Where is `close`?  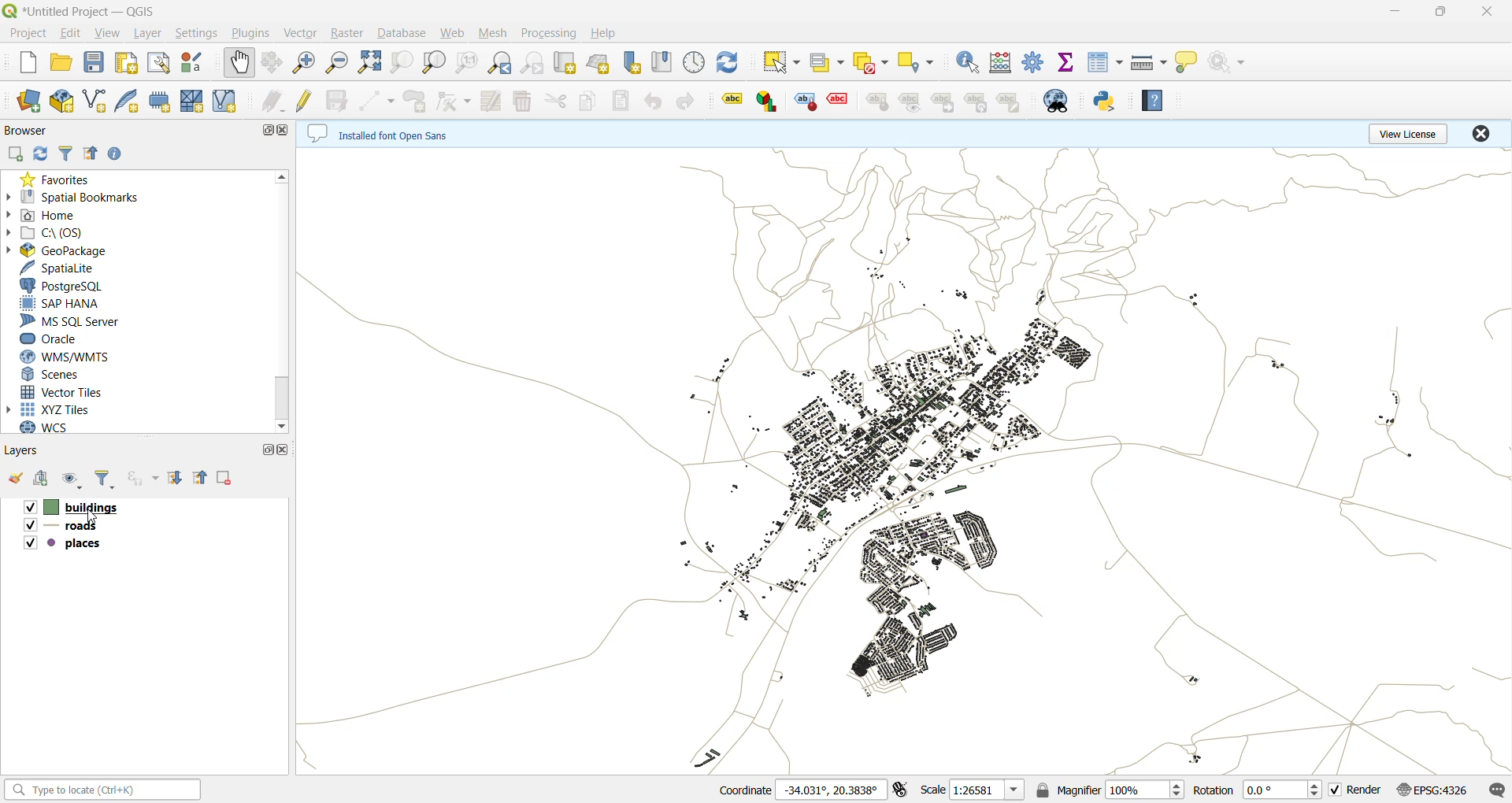 close is located at coordinates (1483, 14).